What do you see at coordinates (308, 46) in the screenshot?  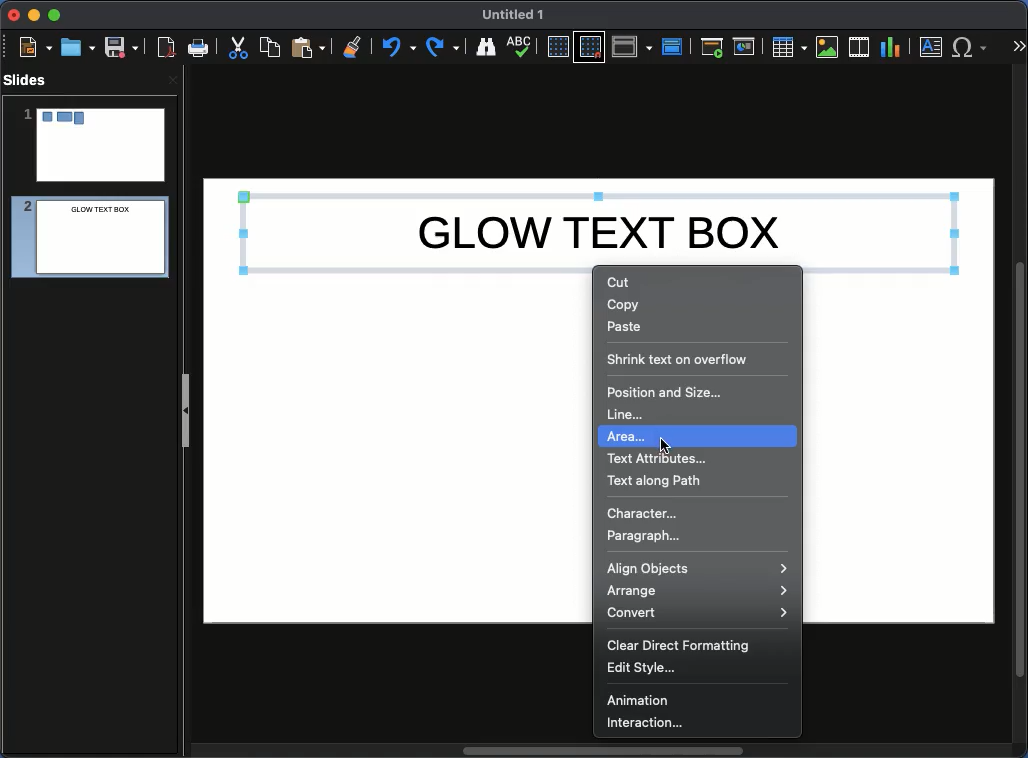 I see `Paste` at bounding box center [308, 46].